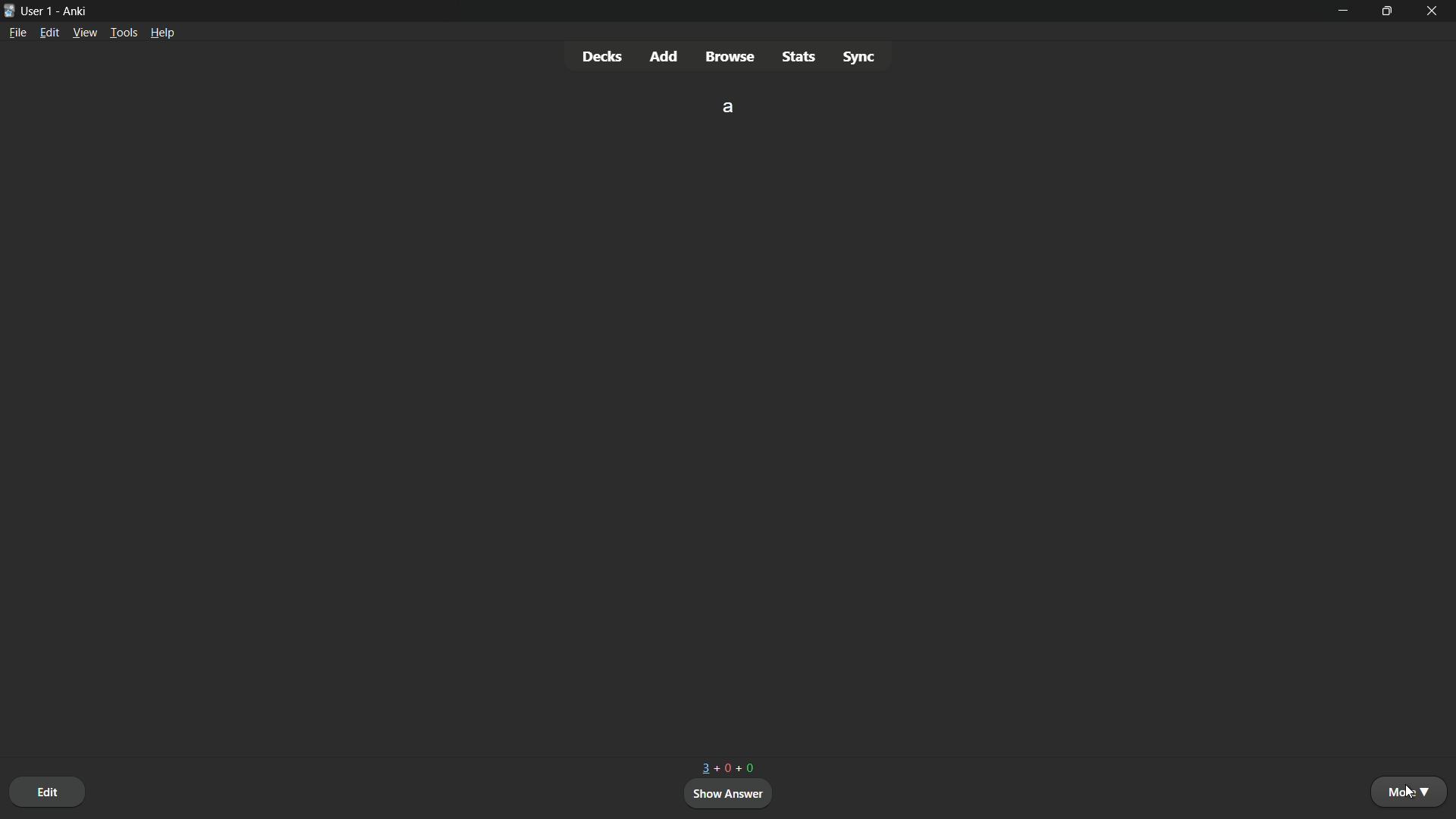  I want to click on a, so click(730, 106).